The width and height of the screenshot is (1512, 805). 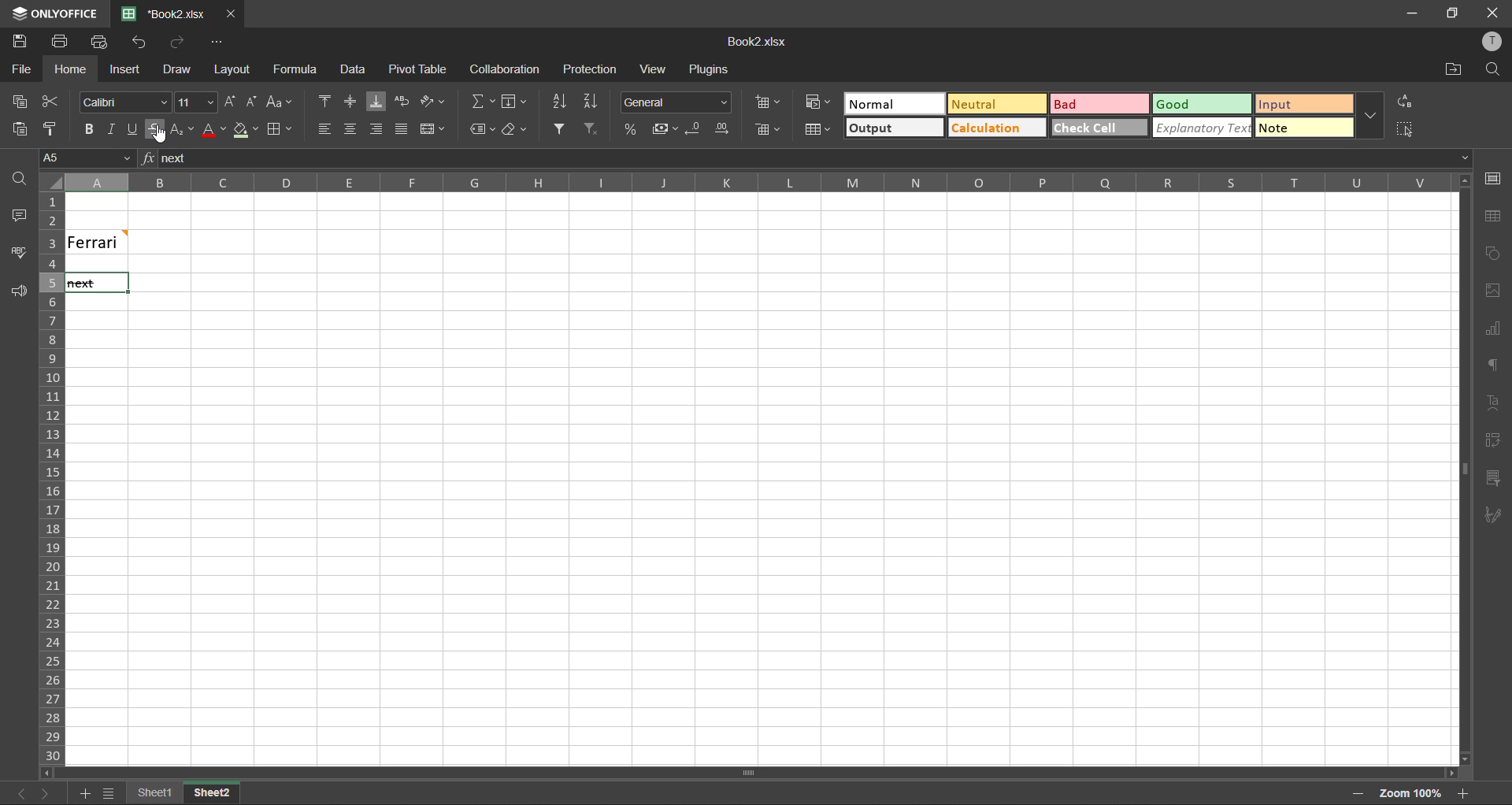 What do you see at coordinates (1495, 404) in the screenshot?
I see `text` at bounding box center [1495, 404].